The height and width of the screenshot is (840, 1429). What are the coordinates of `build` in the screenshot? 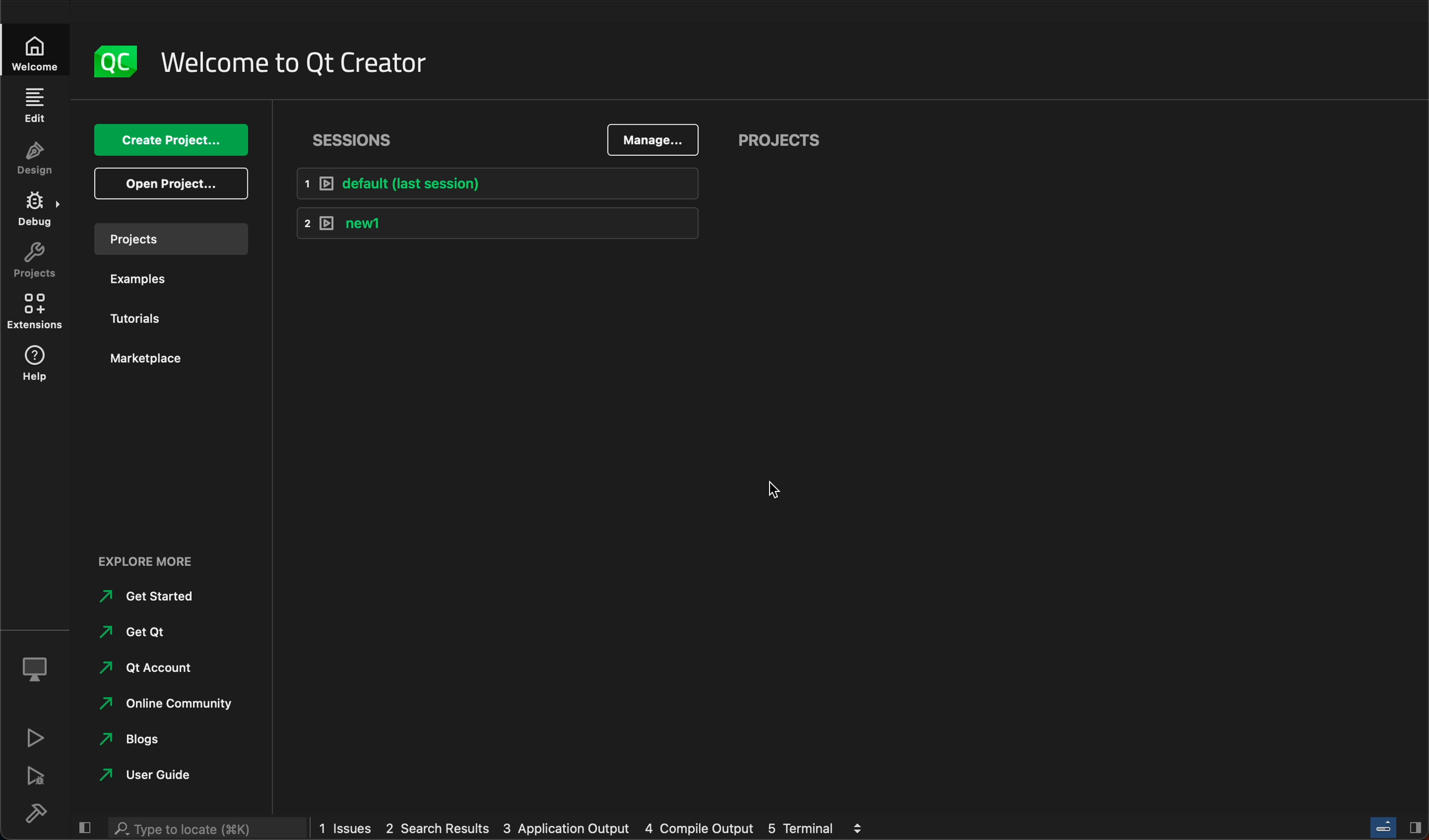 It's located at (37, 817).